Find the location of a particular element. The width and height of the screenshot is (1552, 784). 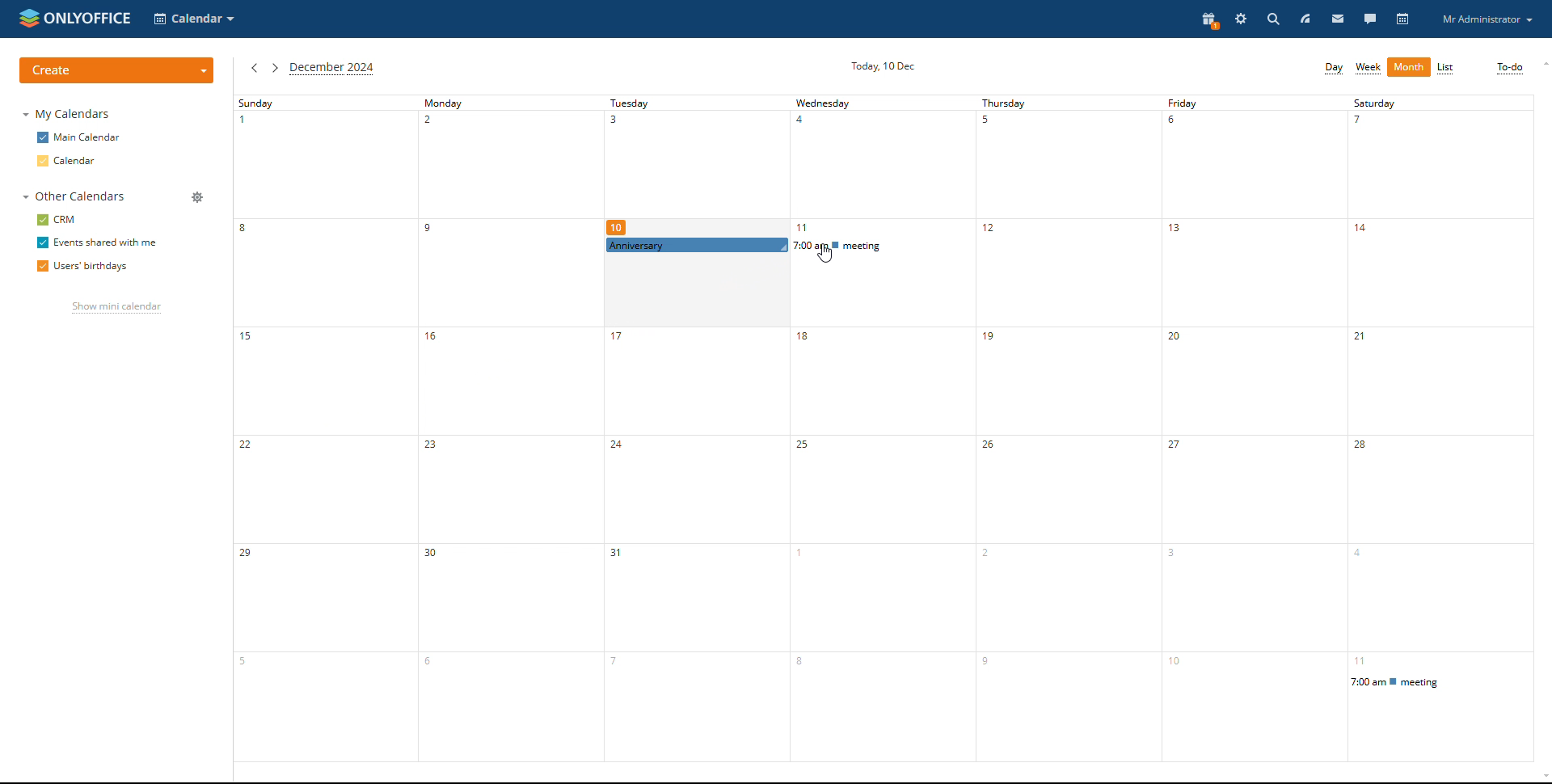

next month is located at coordinates (275, 68).